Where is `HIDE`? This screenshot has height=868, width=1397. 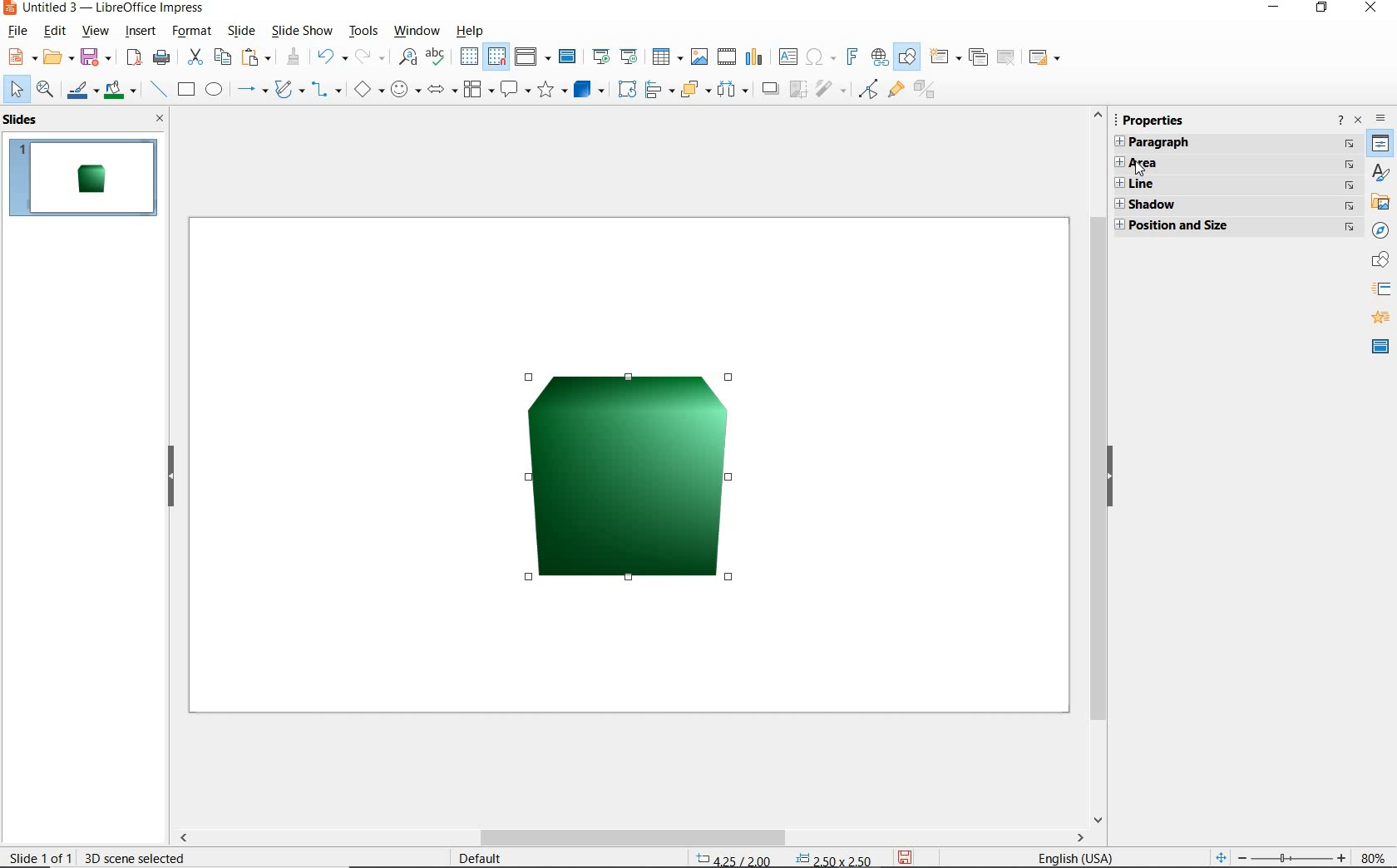
HIDE is located at coordinates (170, 477).